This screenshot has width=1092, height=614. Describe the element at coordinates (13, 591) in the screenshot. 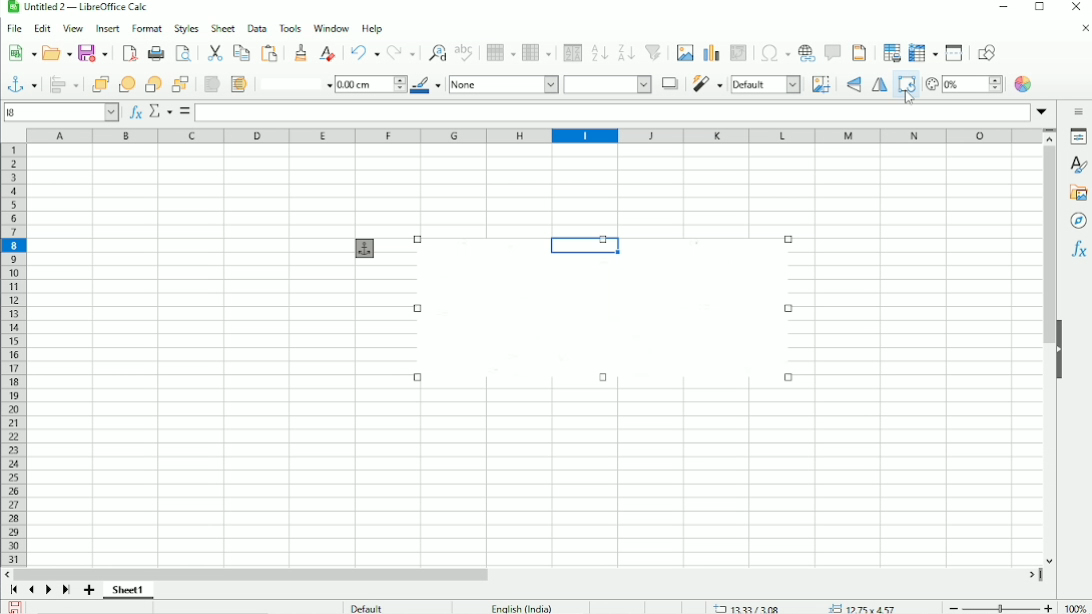

I see `Scroll to first sheet` at that location.